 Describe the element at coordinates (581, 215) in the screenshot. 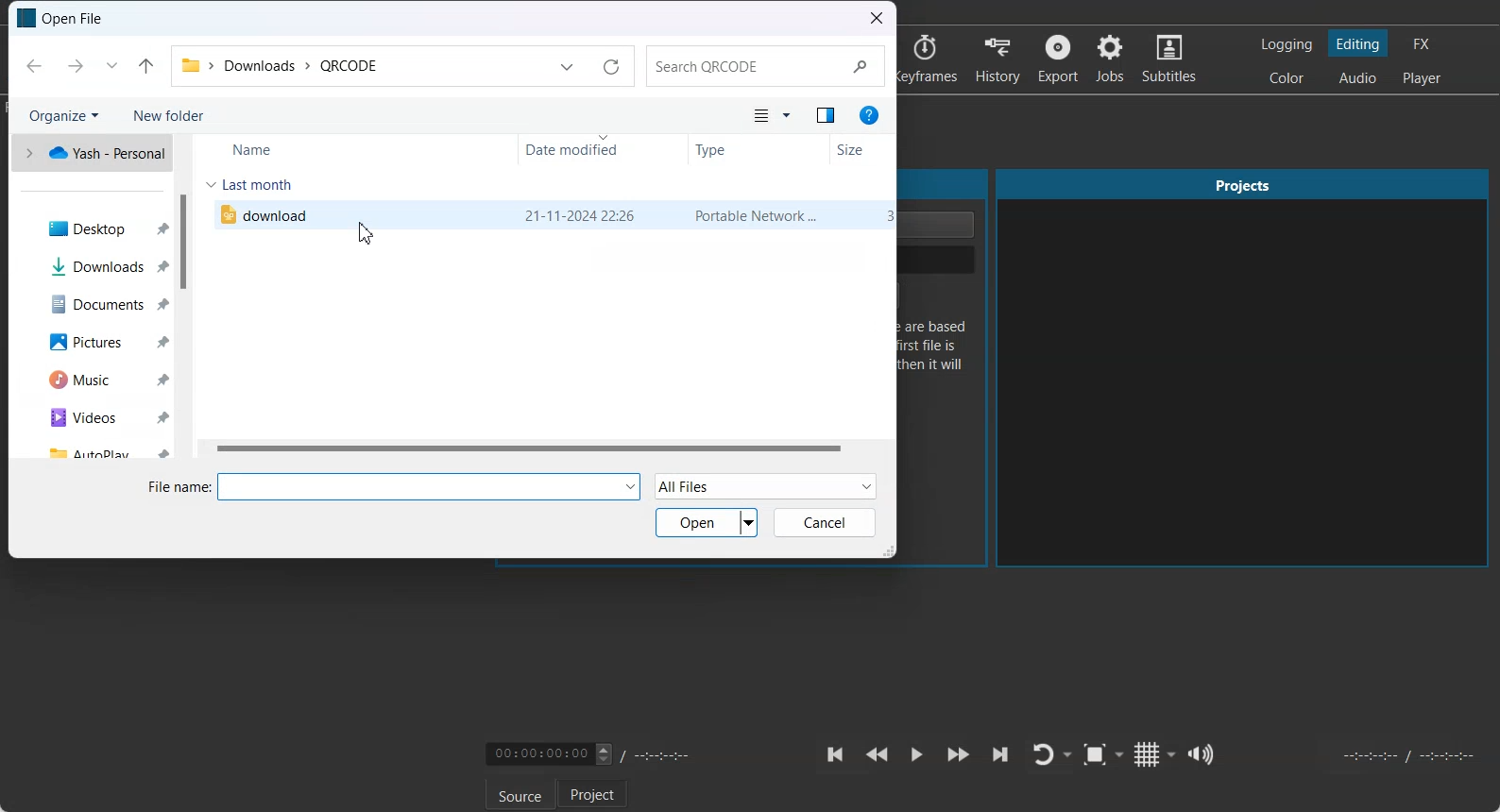

I see `date modified` at that location.